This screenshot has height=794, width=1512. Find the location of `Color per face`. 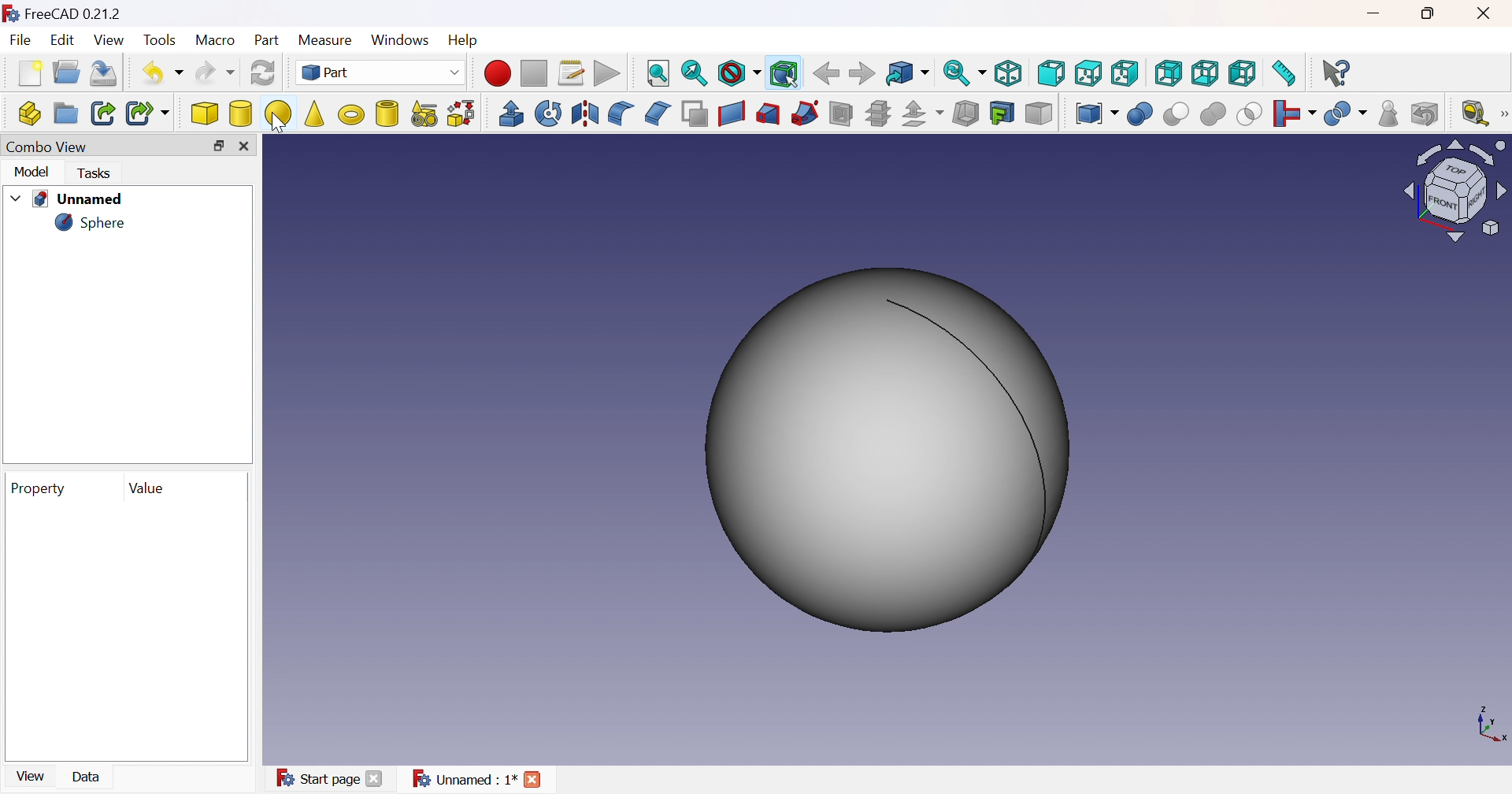

Color per face is located at coordinates (1038, 114).